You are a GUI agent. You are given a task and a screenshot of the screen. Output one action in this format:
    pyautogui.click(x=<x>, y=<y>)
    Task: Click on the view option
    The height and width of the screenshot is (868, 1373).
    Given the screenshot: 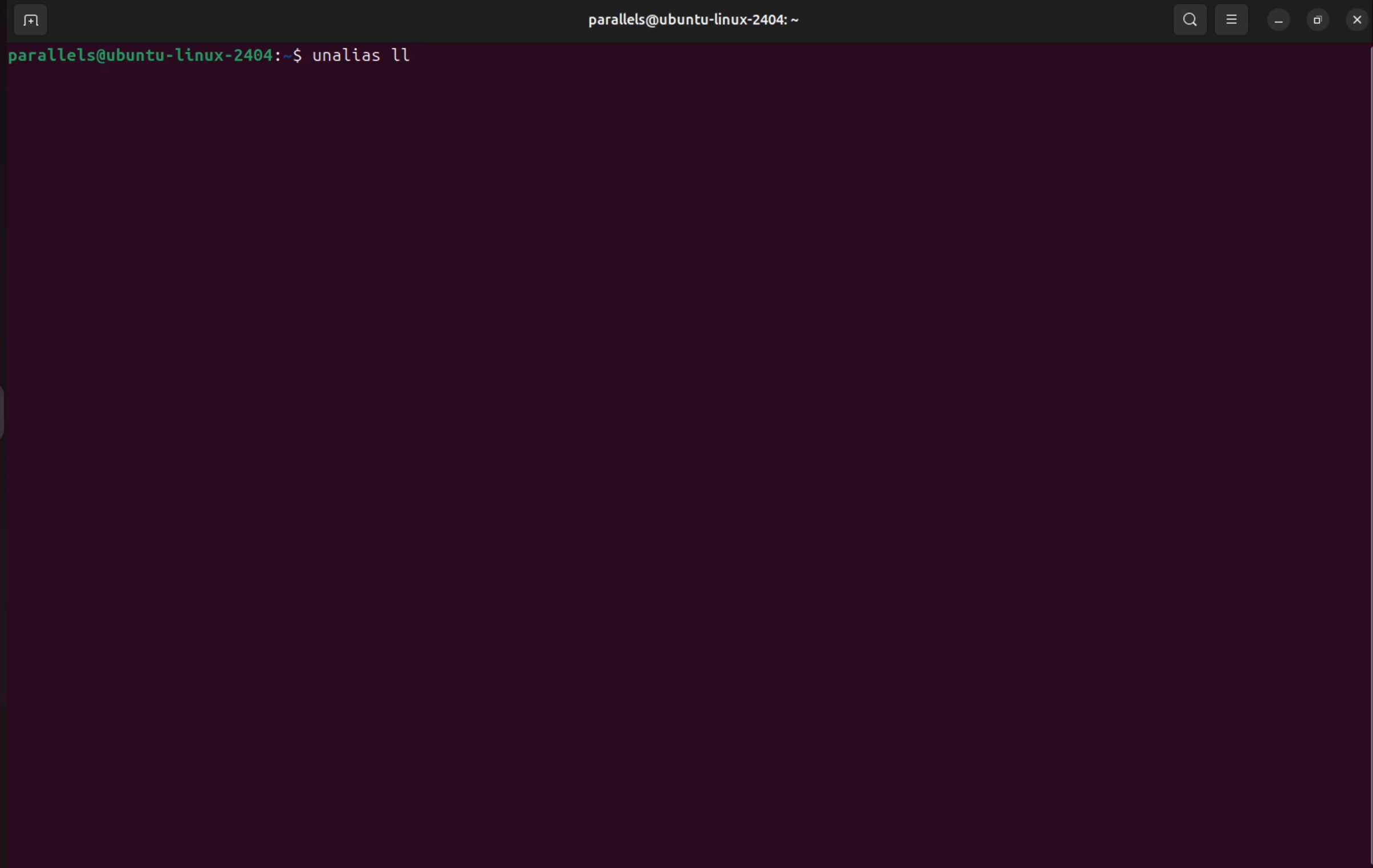 What is the action you would take?
    pyautogui.click(x=1233, y=19)
    